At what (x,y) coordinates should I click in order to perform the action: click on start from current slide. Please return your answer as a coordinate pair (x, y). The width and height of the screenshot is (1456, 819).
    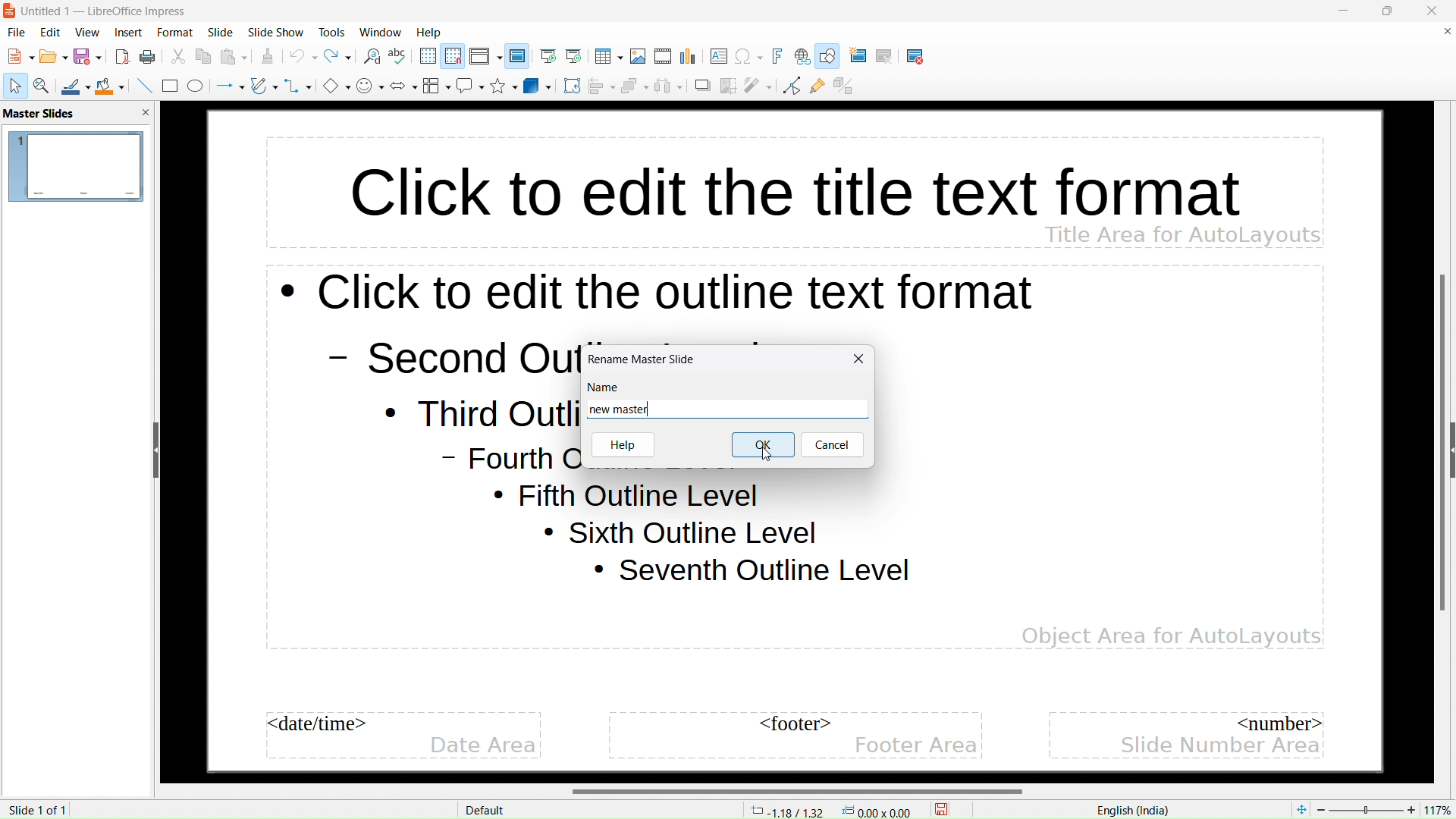
    Looking at the image, I should click on (574, 56).